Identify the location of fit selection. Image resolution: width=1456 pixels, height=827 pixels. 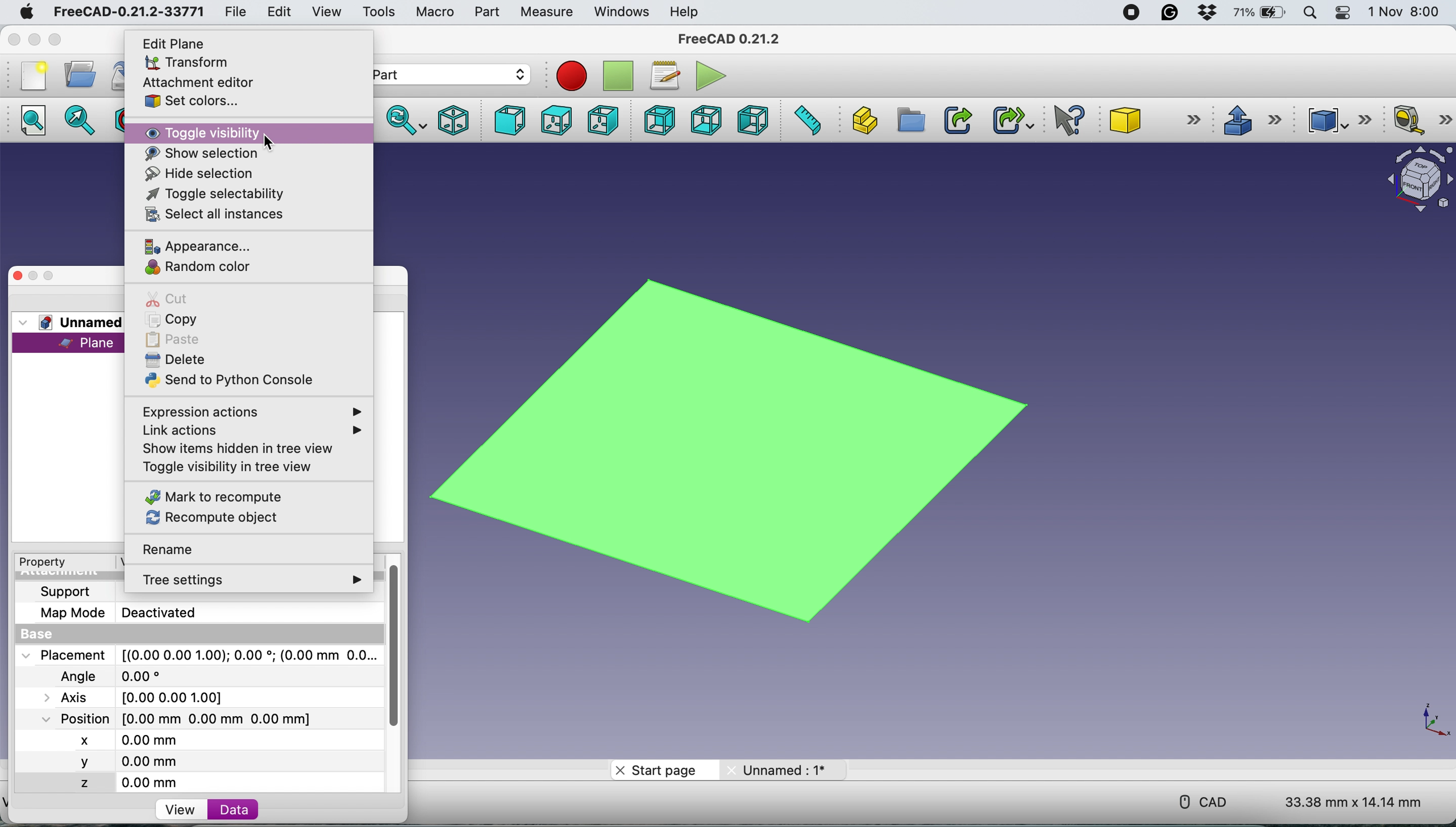
(78, 124).